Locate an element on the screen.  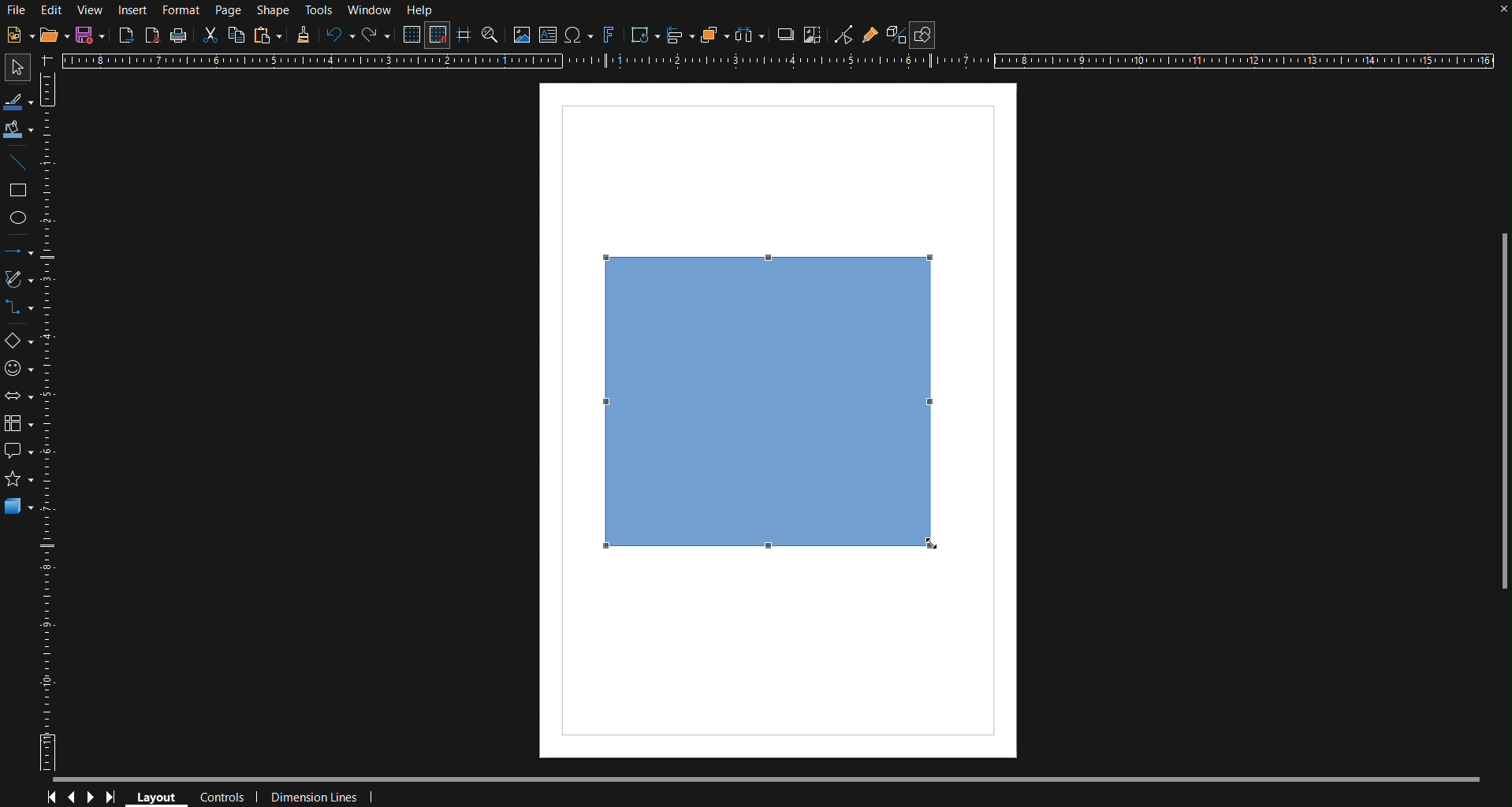
Square (finalized) is located at coordinates (765, 403).